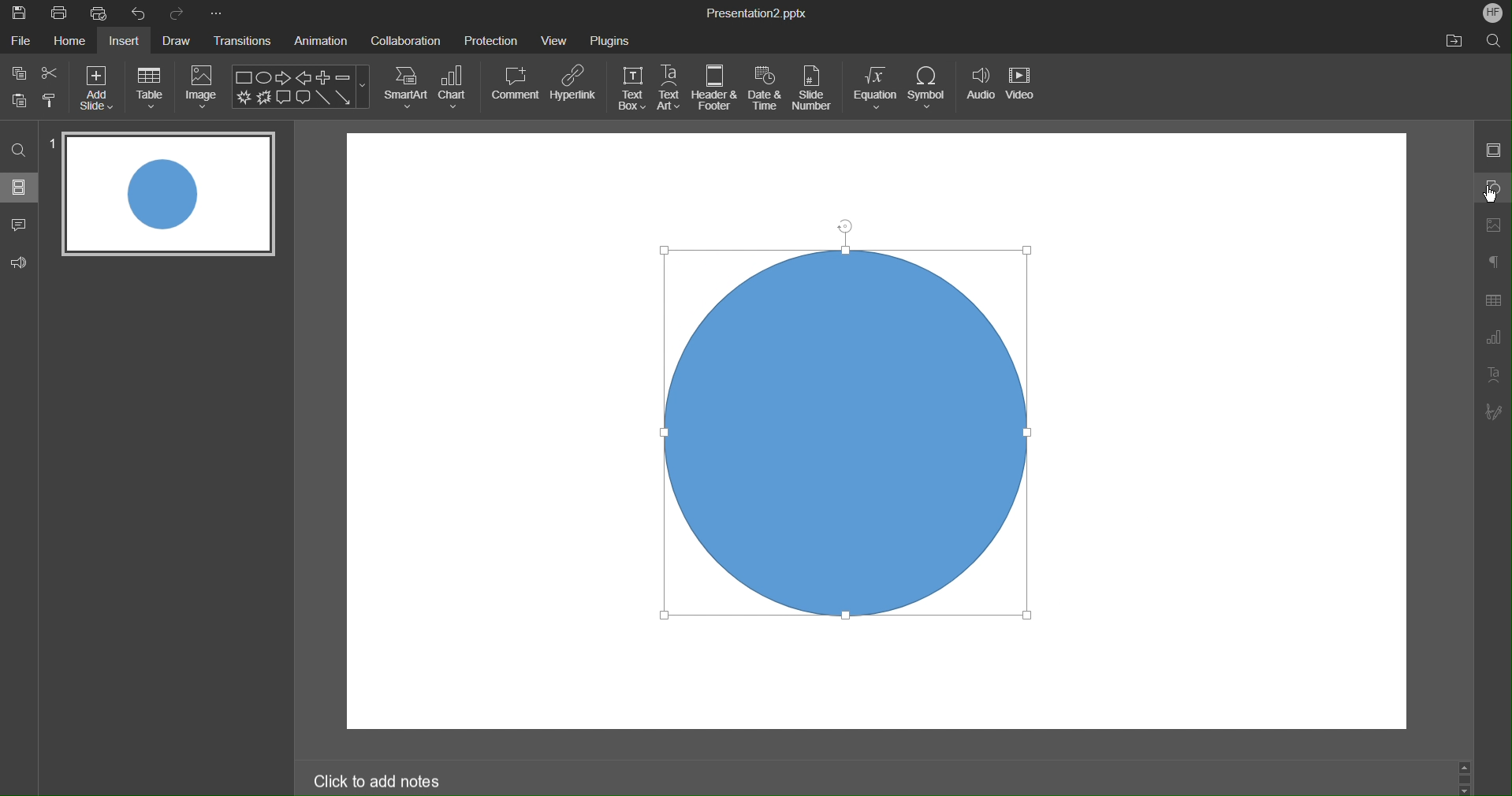 The image size is (1512, 796). I want to click on Shape Settings, so click(1495, 186).